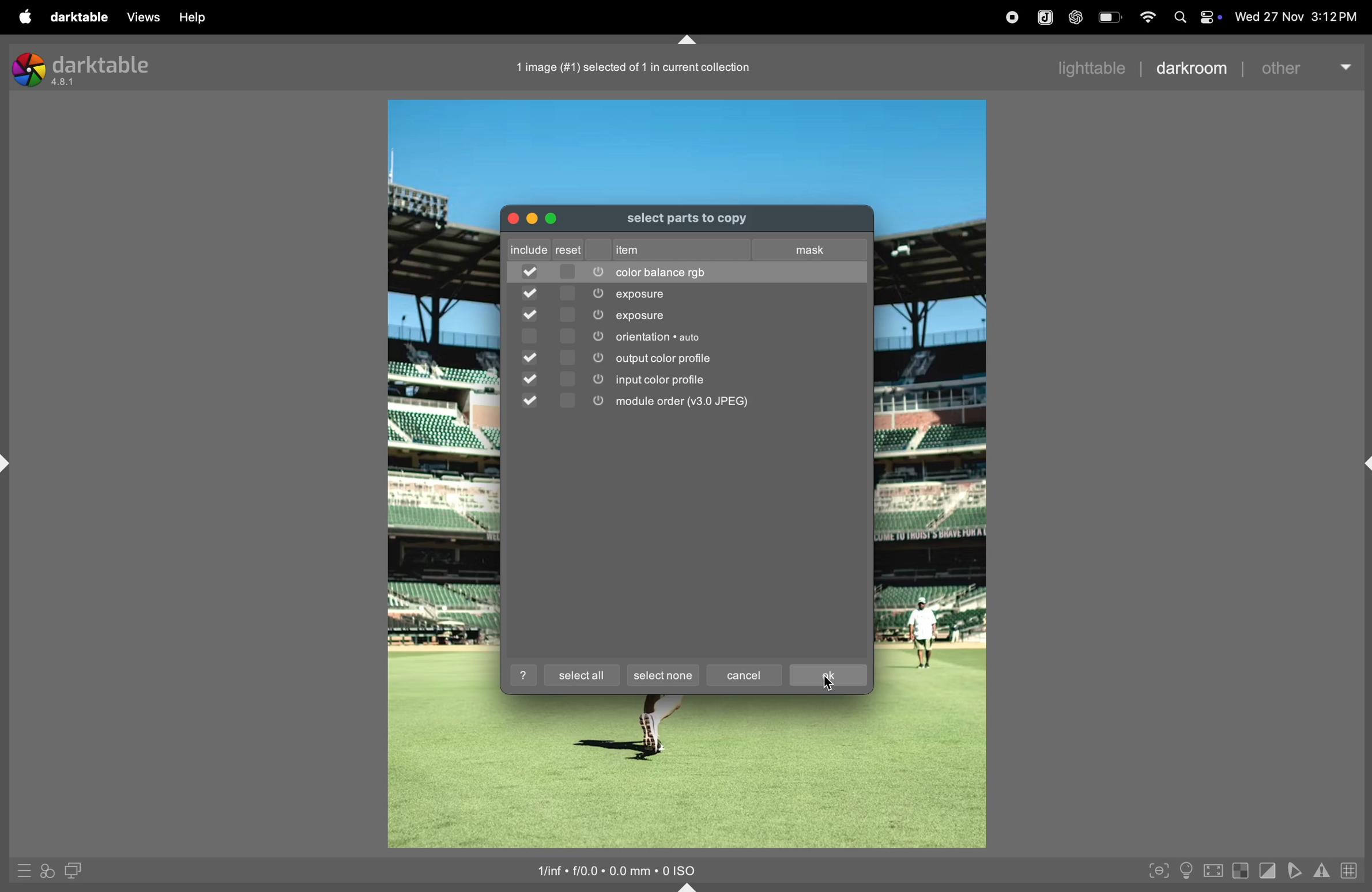 The image size is (1372, 892). Describe the element at coordinates (642, 249) in the screenshot. I see `item` at that location.